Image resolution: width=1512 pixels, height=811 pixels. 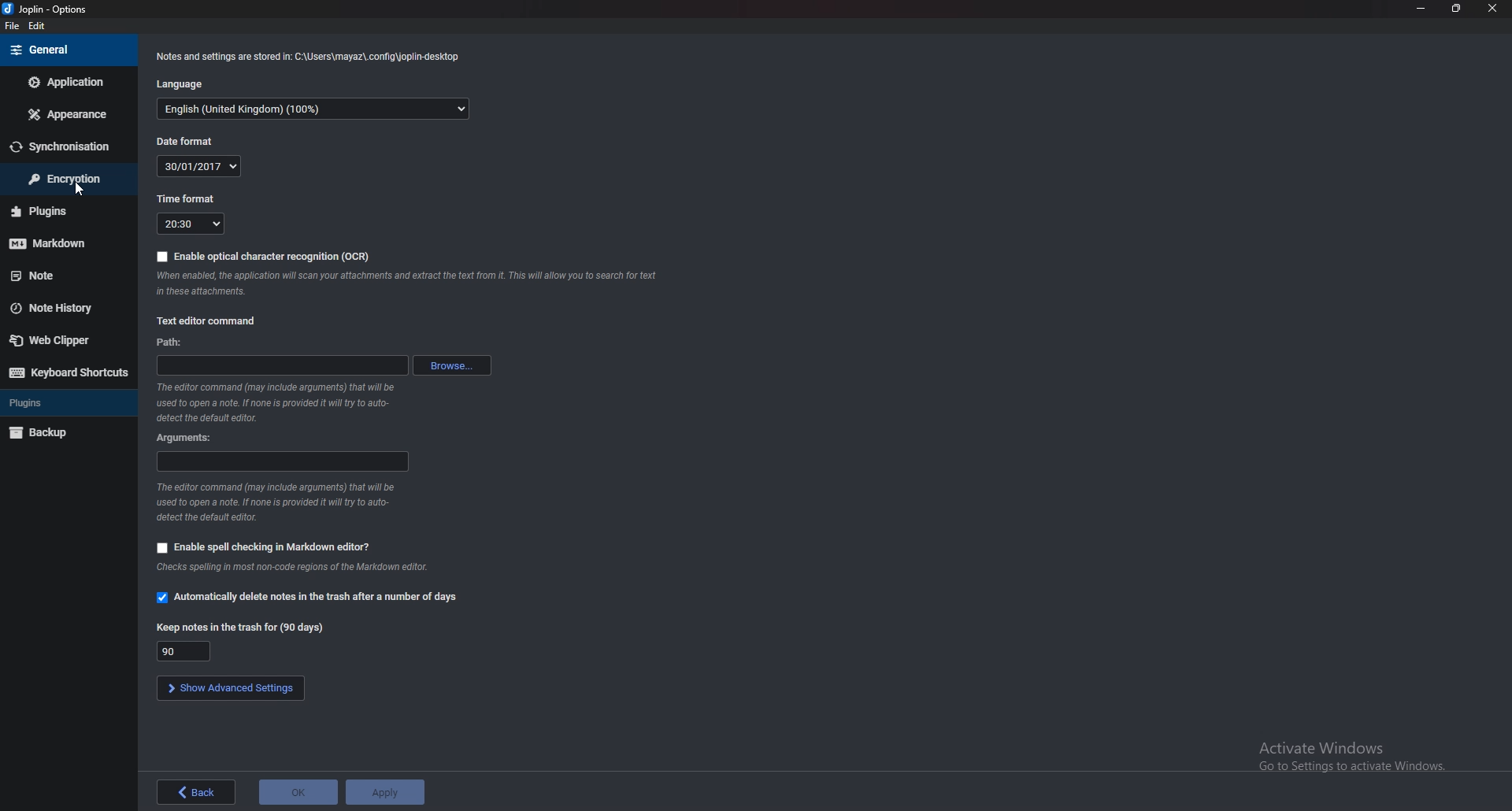 I want to click on arguments, so click(x=183, y=437).